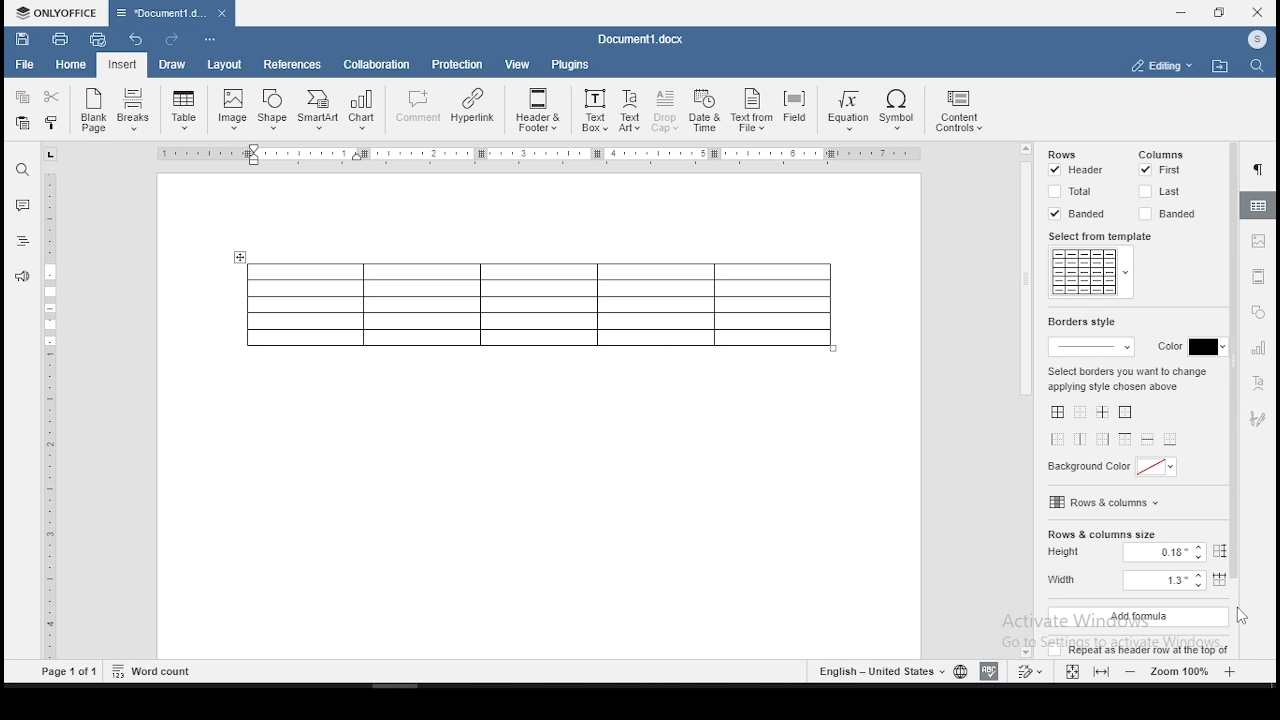 The width and height of the screenshot is (1280, 720). I want to click on scrollbar, so click(1026, 400).